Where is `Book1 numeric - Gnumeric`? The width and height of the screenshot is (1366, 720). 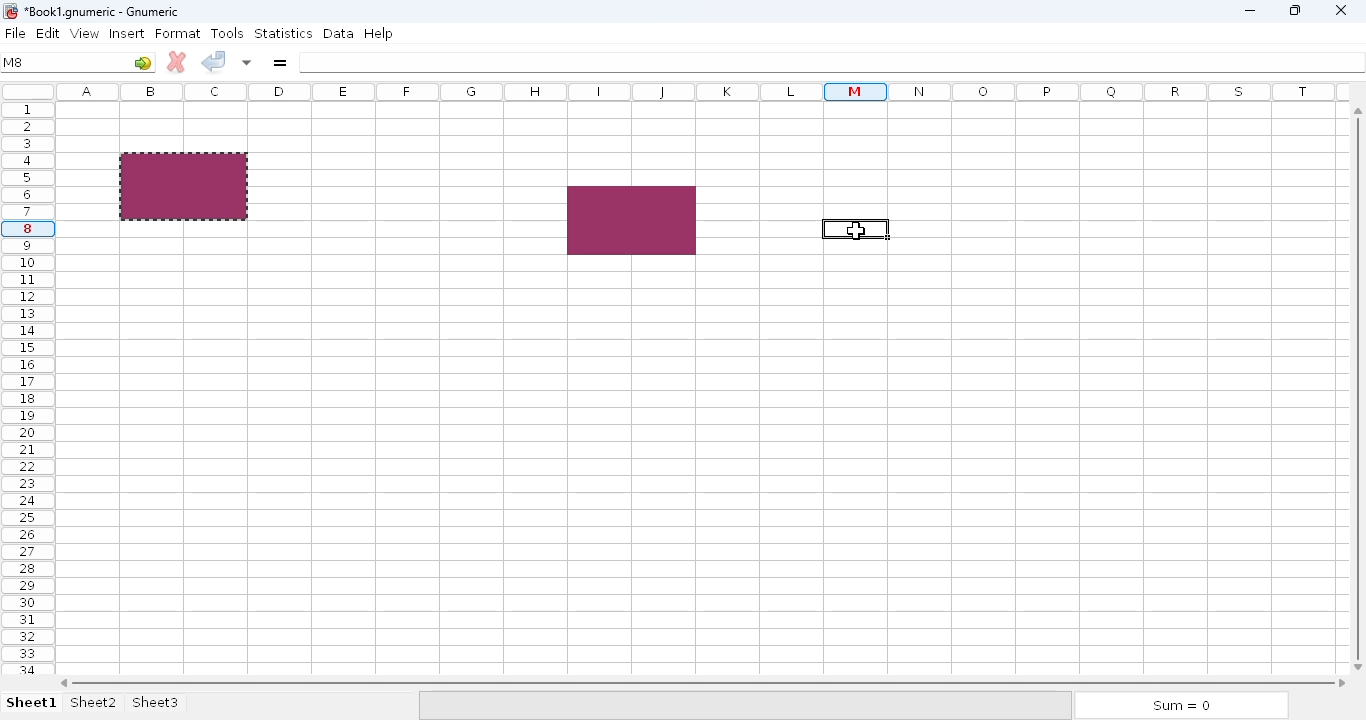 Book1 numeric - Gnumeric is located at coordinates (102, 12).